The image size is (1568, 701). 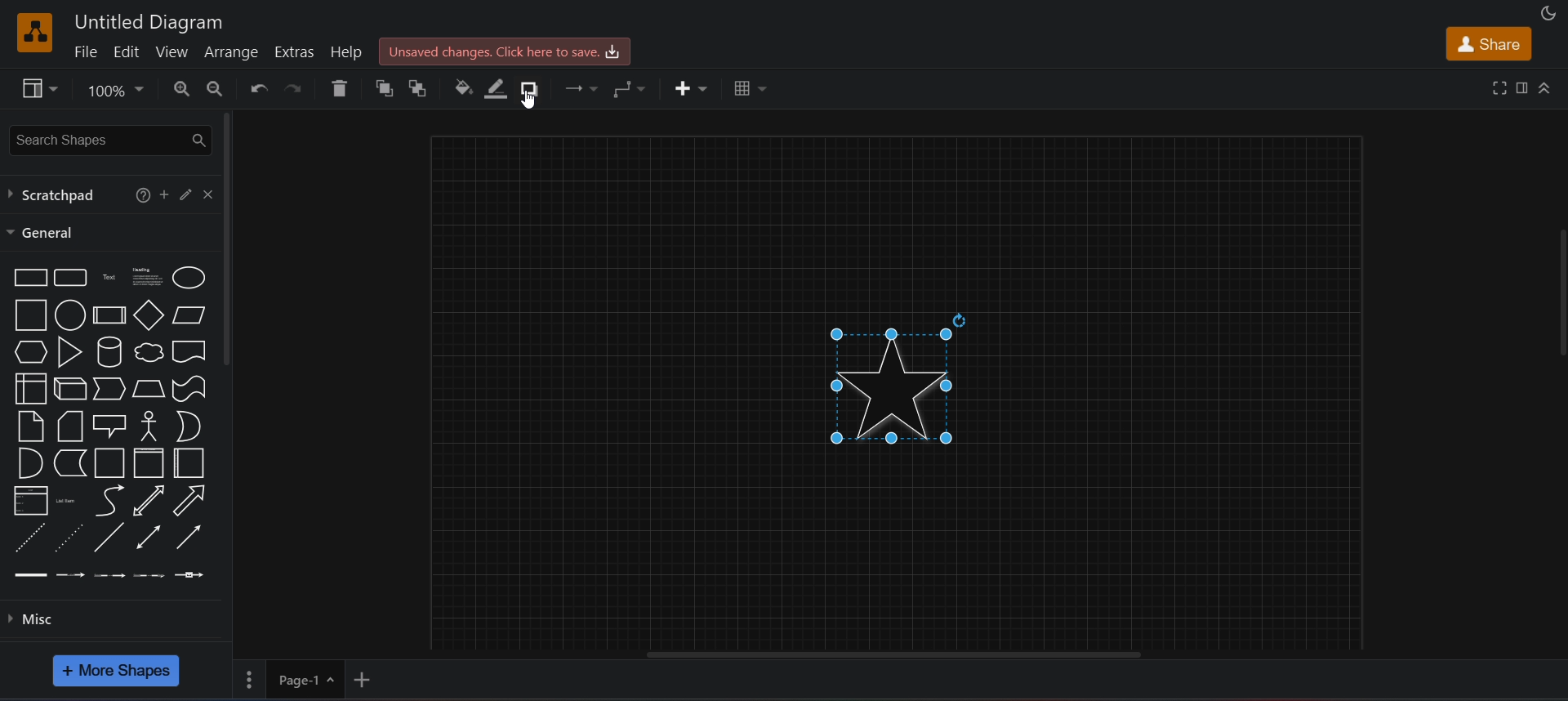 What do you see at coordinates (29, 463) in the screenshot?
I see `and` at bounding box center [29, 463].